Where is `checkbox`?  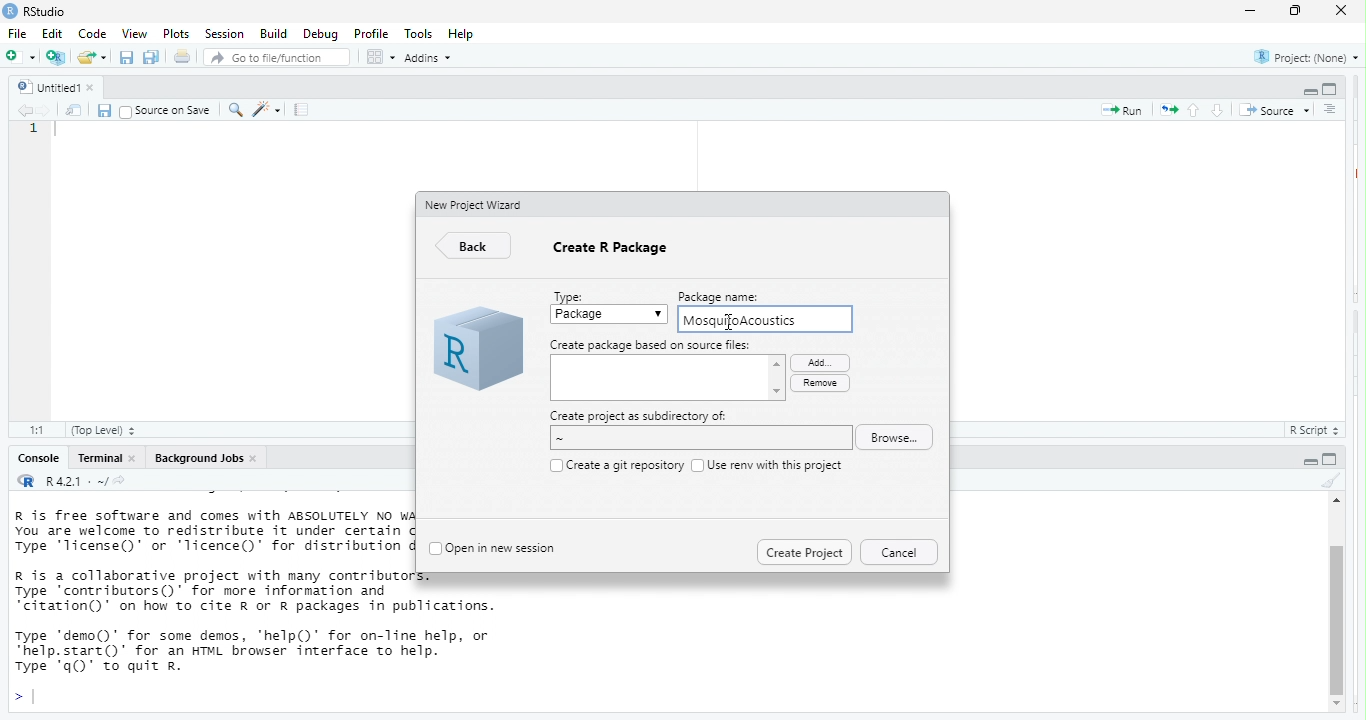 checkbox is located at coordinates (553, 465).